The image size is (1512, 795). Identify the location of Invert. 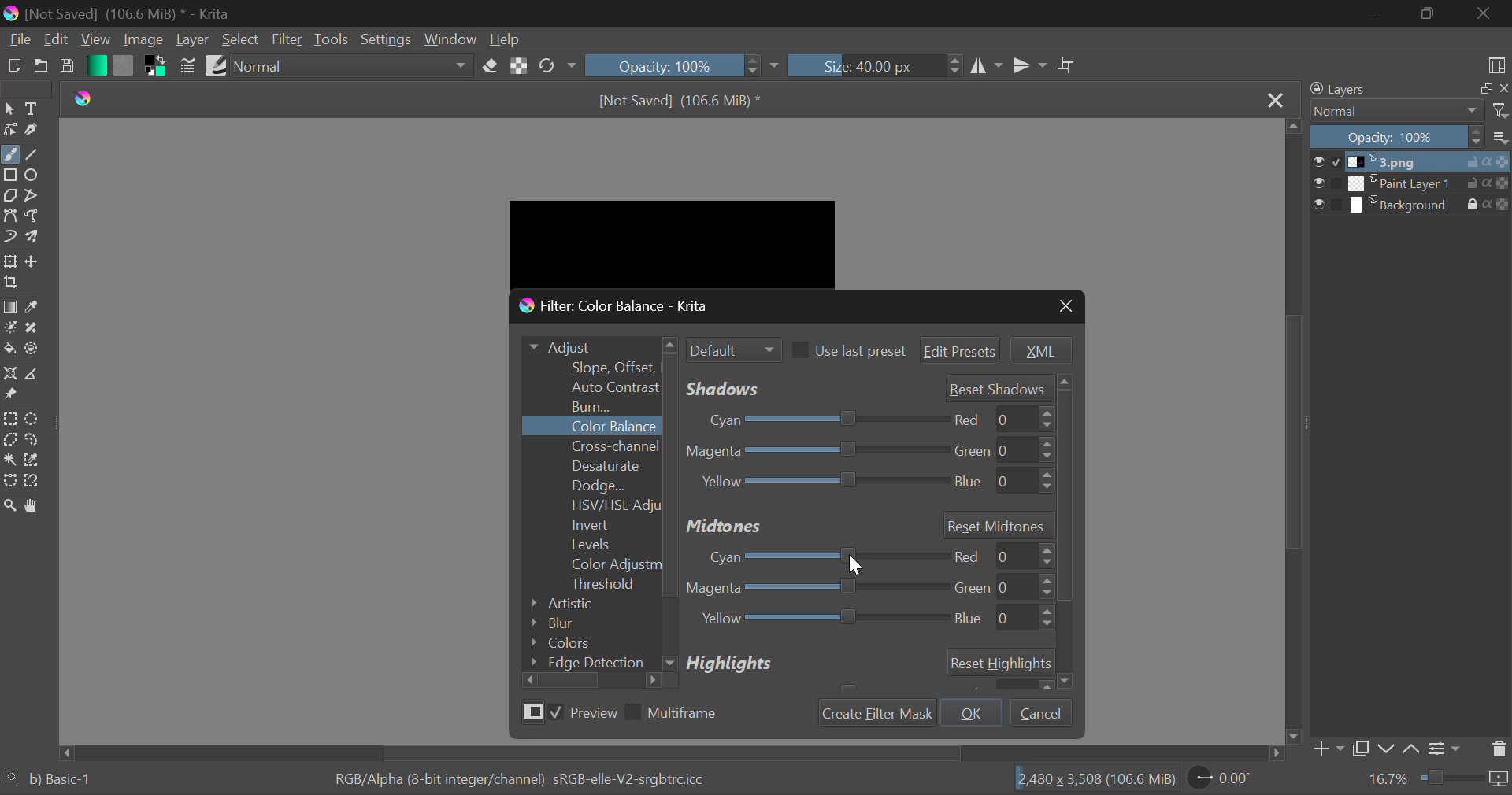
(593, 525).